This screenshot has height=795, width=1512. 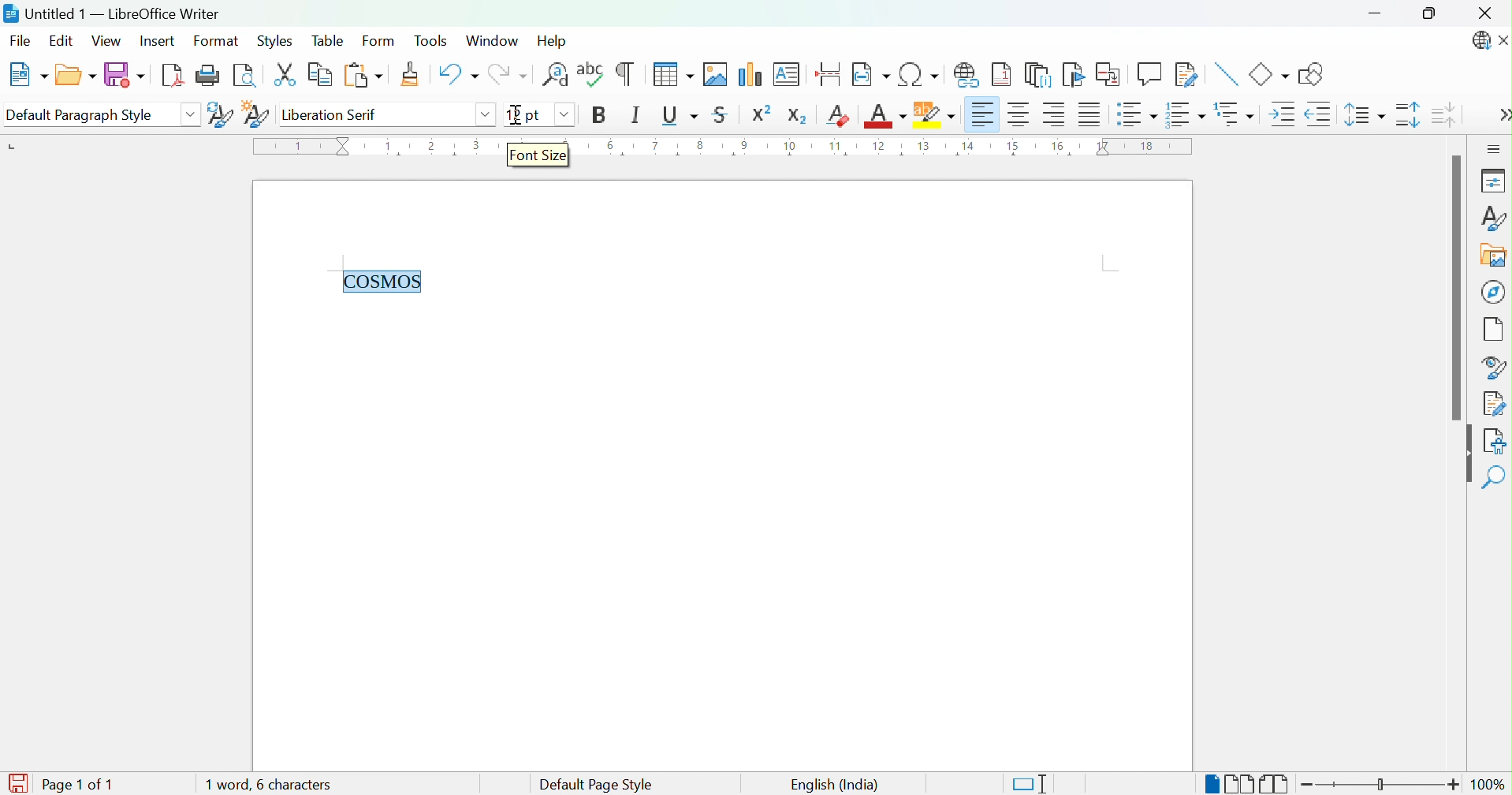 What do you see at coordinates (750, 73) in the screenshot?
I see `Insert Chart` at bounding box center [750, 73].